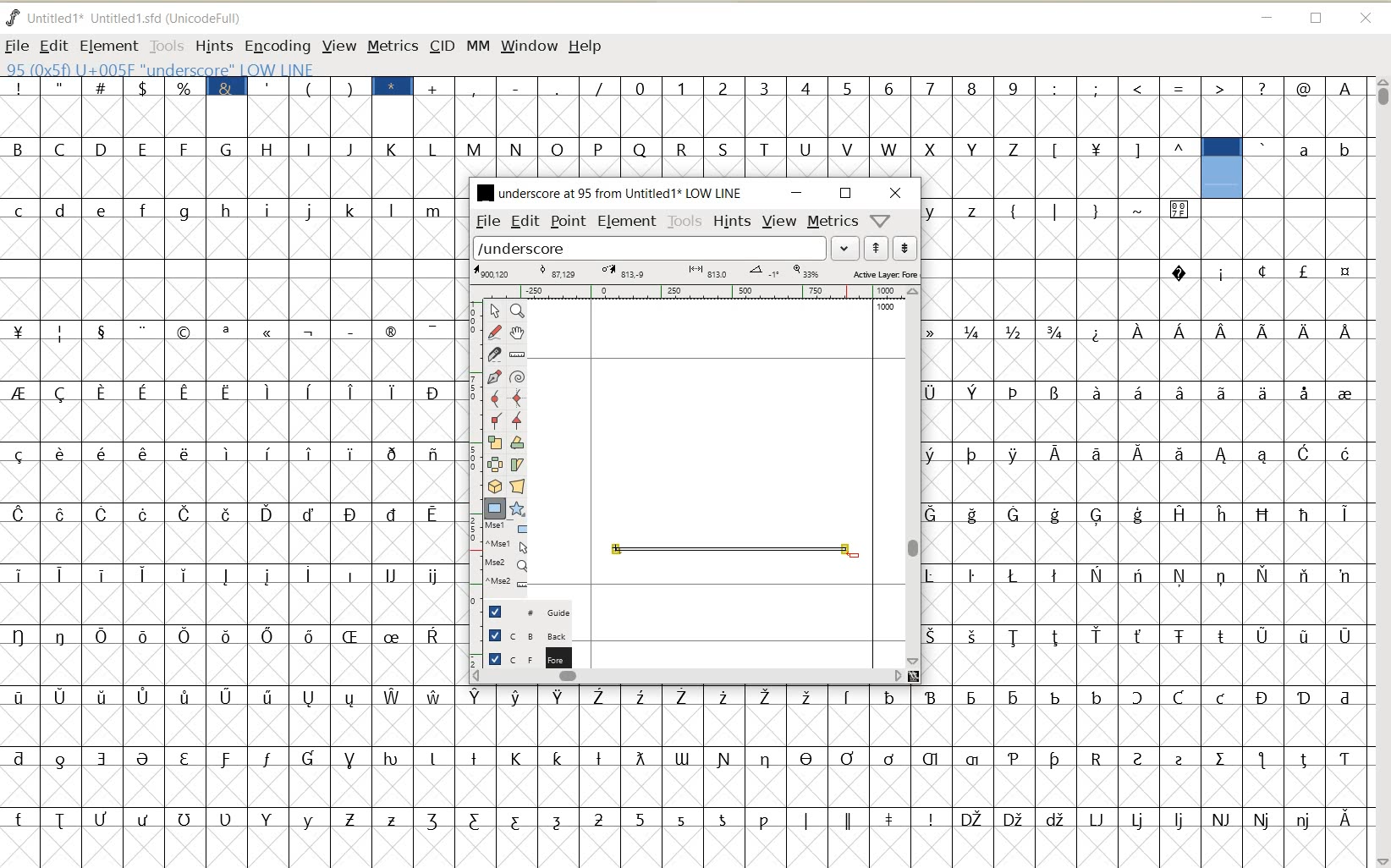 The height and width of the screenshot is (868, 1391). I want to click on rotate the selection in 3D and project back to plane, so click(494, 486).